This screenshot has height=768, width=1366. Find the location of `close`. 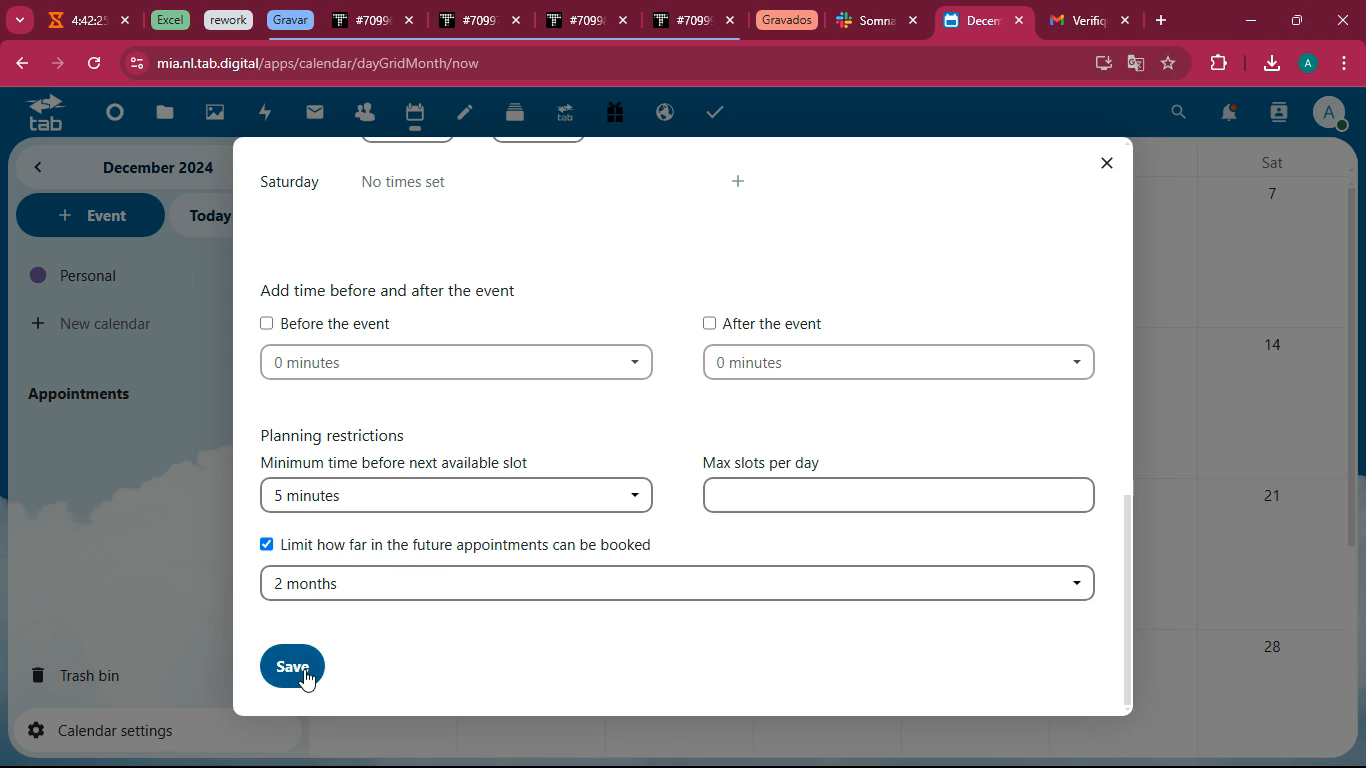

close is located at coordinates (521, 24).